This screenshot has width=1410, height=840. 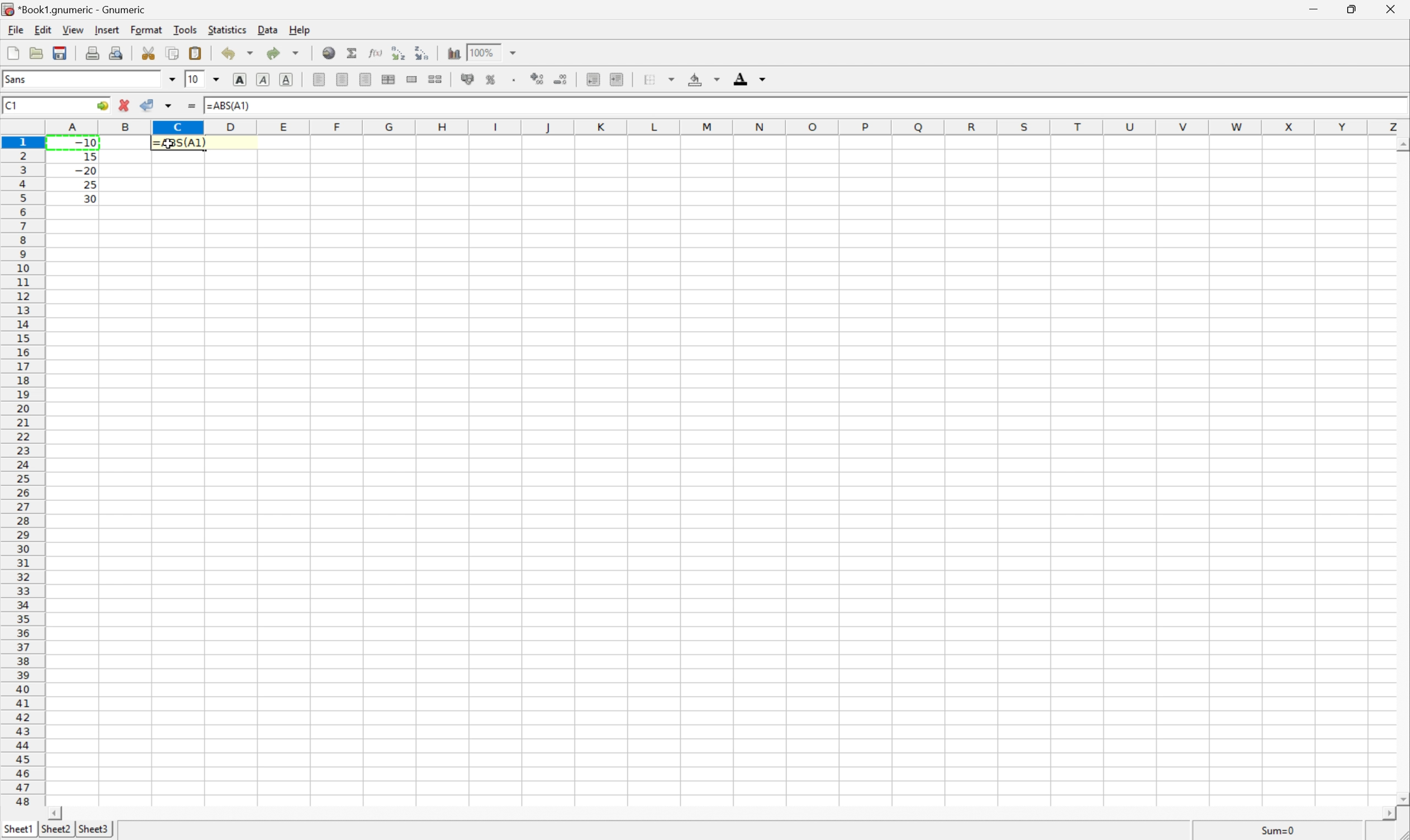 What do you see at coordinates (11, 105) in the screenshot?
I see `C1` at bounding box center [11, 105].